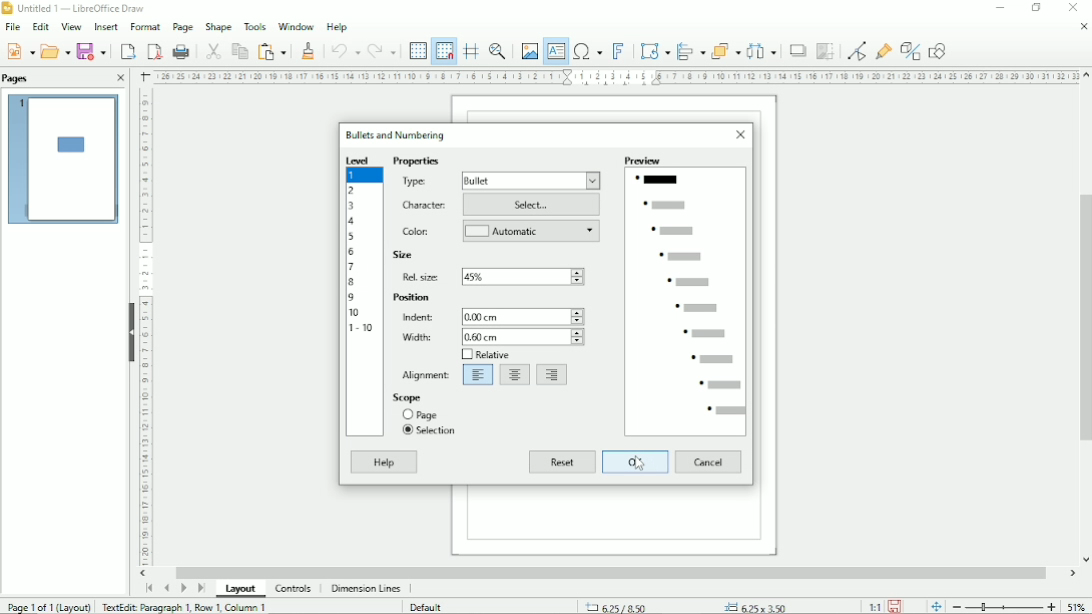 The image size is (1092, 614). What do you see at coordinates (522, 337) in the screenshot?
I see `0.60 cm` at bounding box center [522, 337].